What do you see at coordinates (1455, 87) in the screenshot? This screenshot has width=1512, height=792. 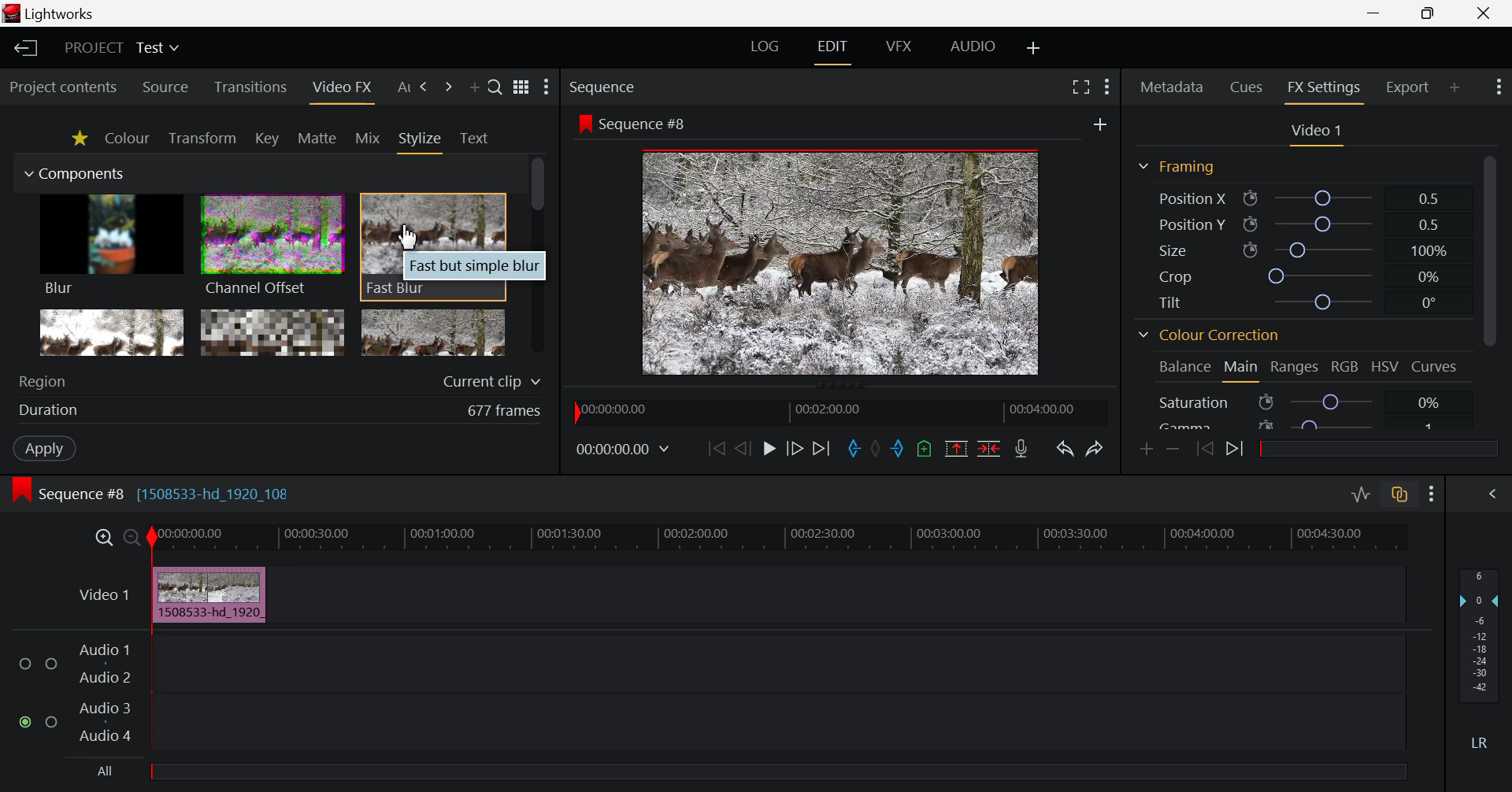 I see `Add Panel` at bounding box center [1455, 87].